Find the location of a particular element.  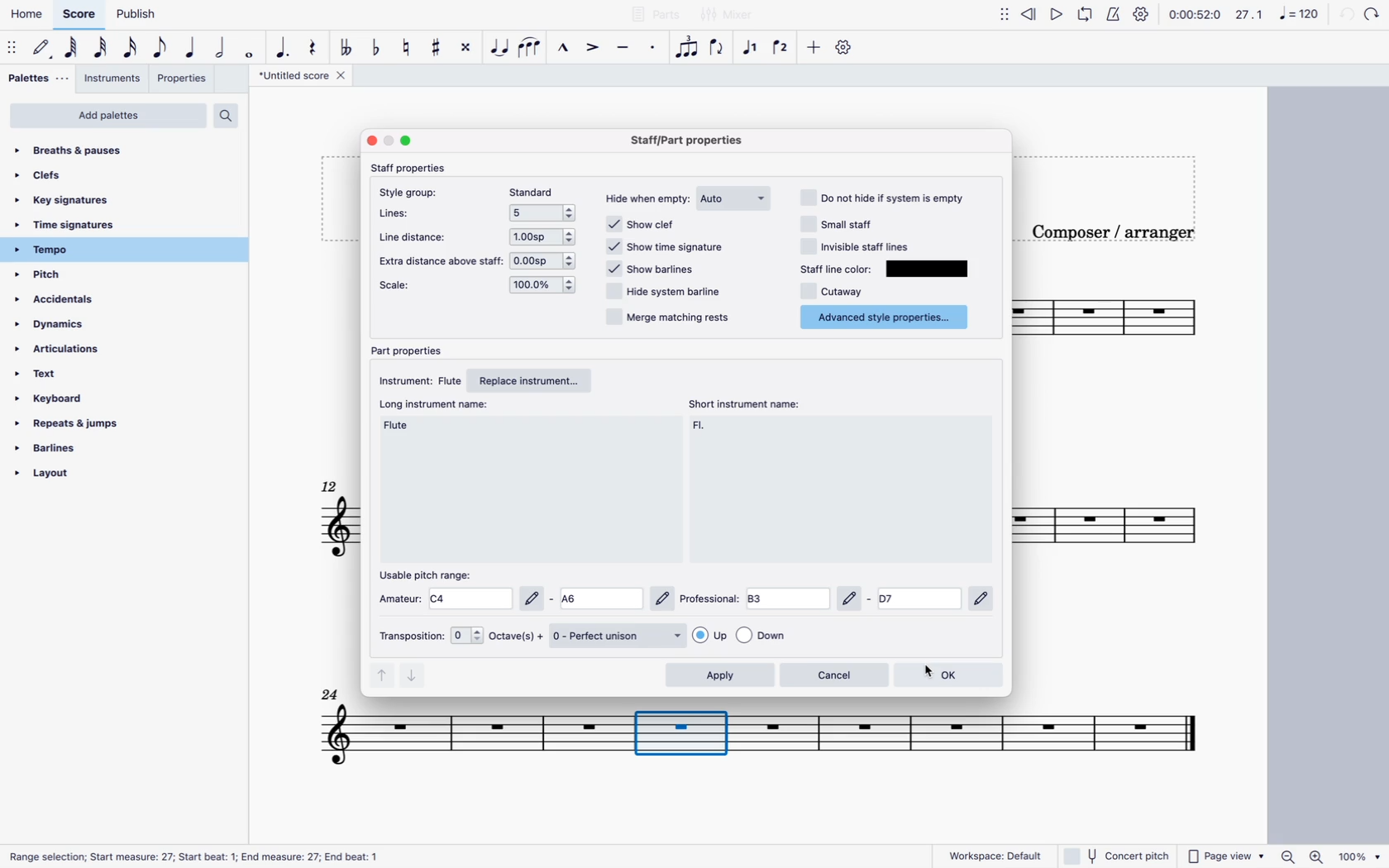

64th note is located at coordinates (73, 48).